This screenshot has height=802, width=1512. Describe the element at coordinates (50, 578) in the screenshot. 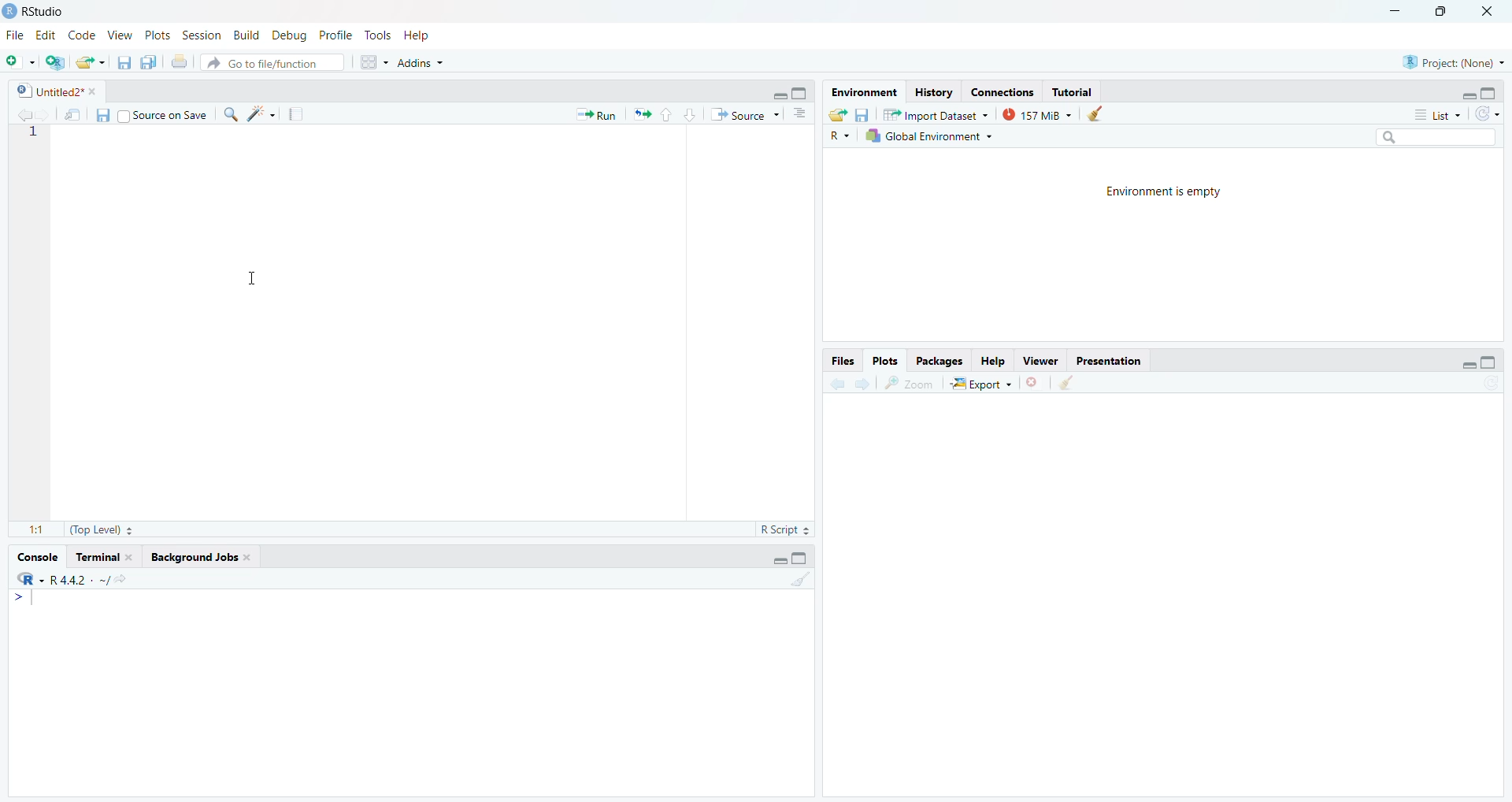

I see `R 4.4.2` at that location.